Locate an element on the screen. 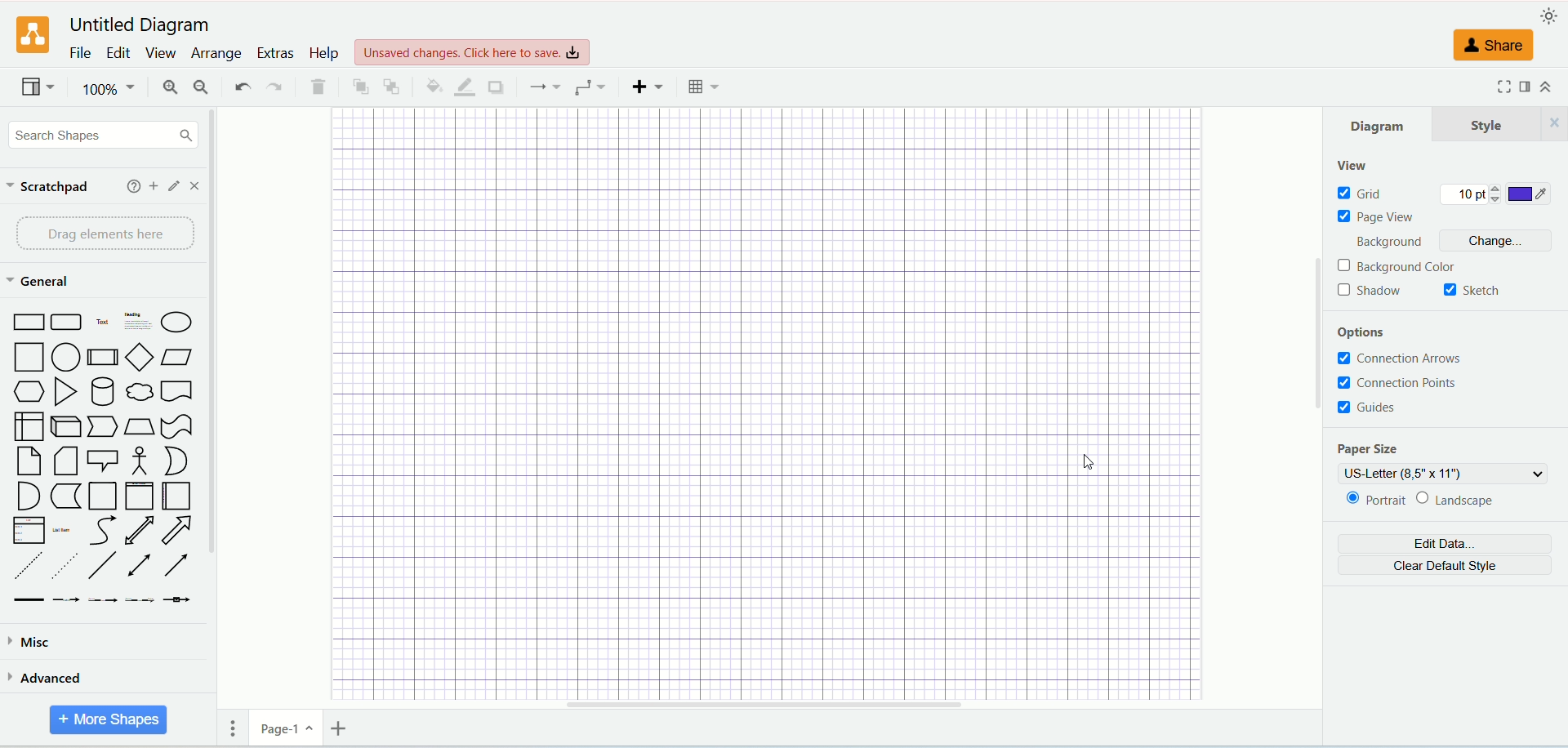 The width and height of the screenshot is (1568, 748). view is located at coordinates (33, 89).